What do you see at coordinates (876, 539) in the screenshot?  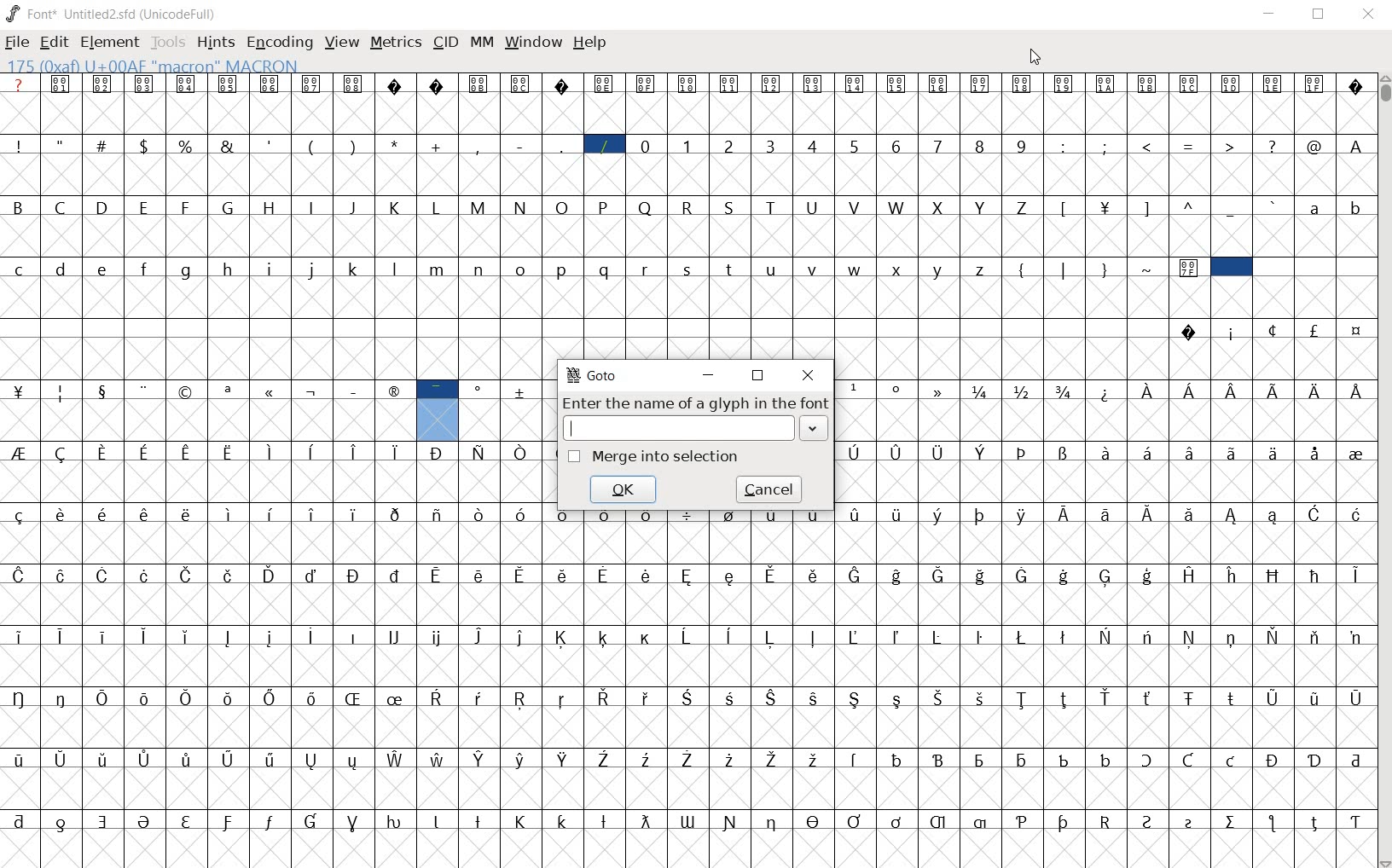 I see `accented characters` at bounding box center [876, 539].